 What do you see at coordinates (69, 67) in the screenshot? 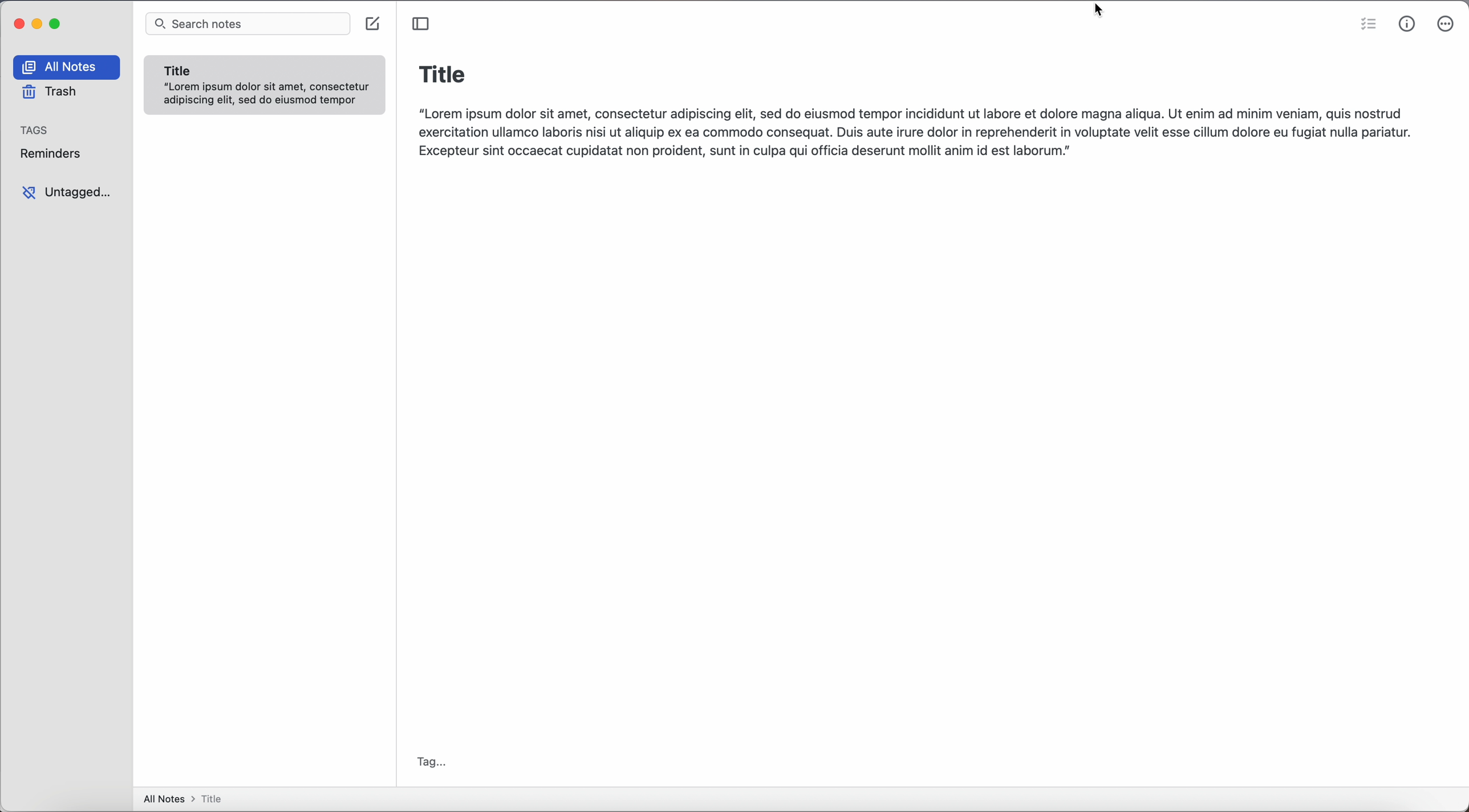
I see `all notes` at bounding box center [69, 67].